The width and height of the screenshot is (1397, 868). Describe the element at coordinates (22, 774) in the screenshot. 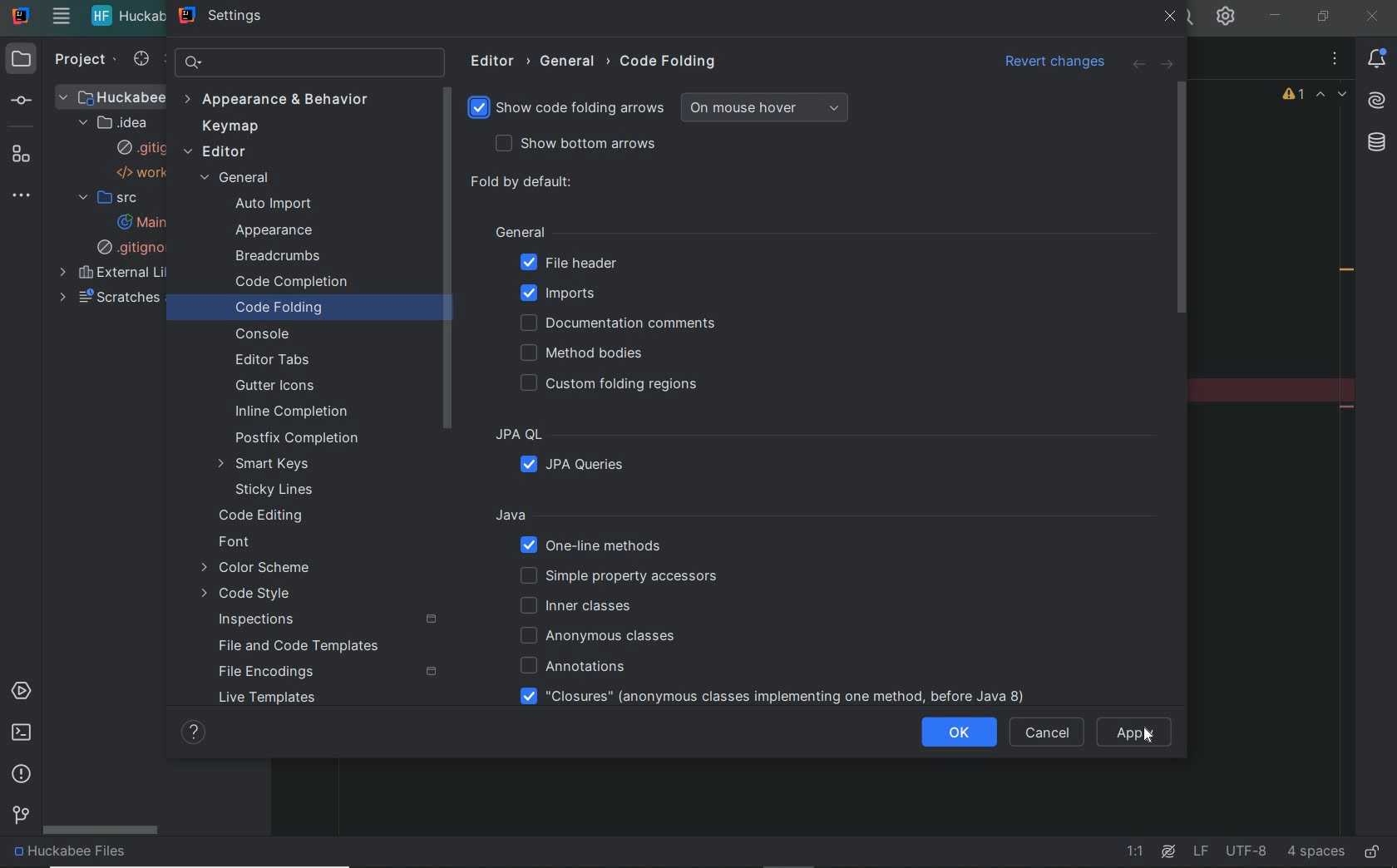

I see `problems` at that location.